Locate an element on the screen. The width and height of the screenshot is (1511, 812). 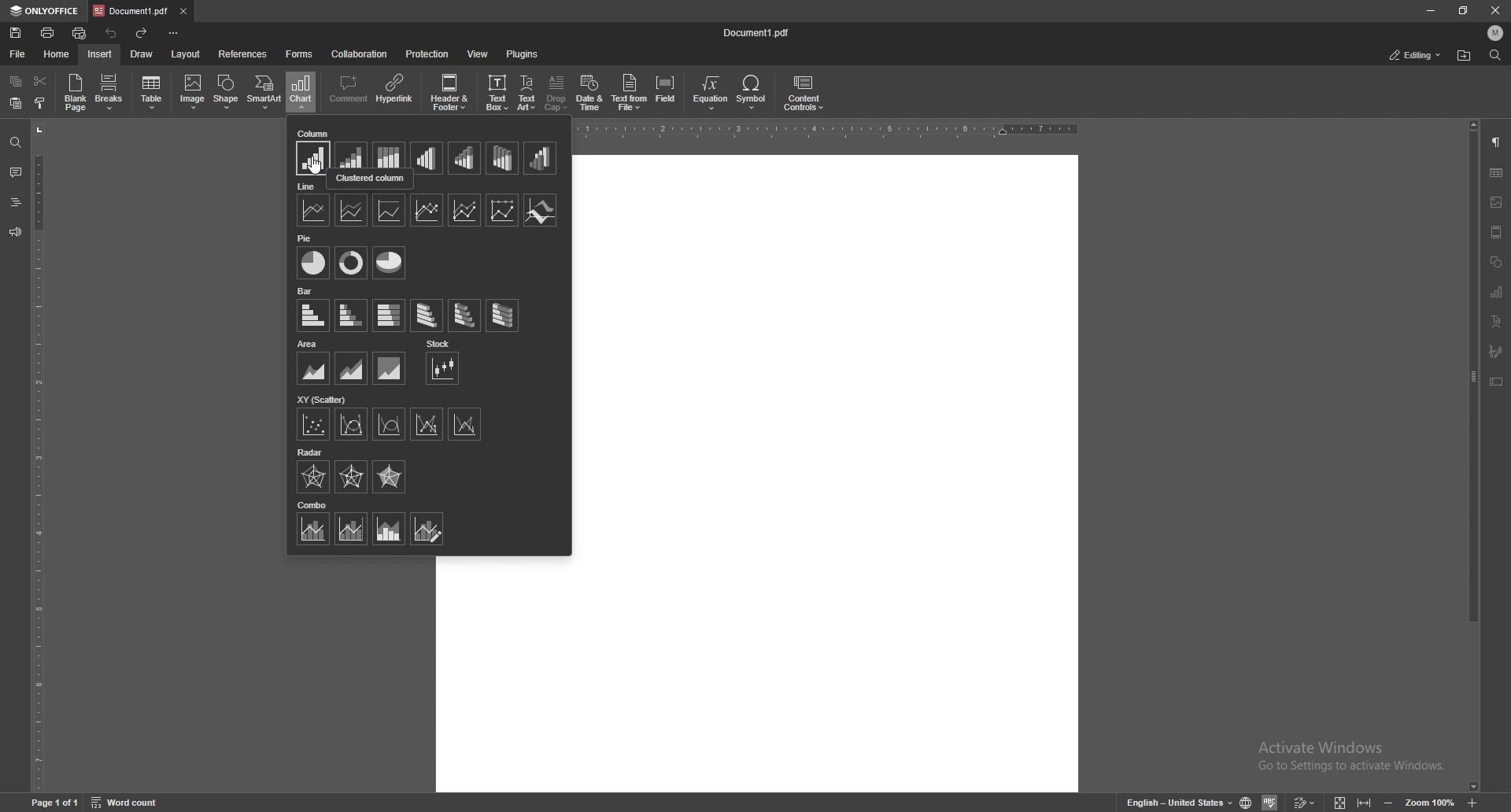
cursor description is located at coordinates (371, 180).